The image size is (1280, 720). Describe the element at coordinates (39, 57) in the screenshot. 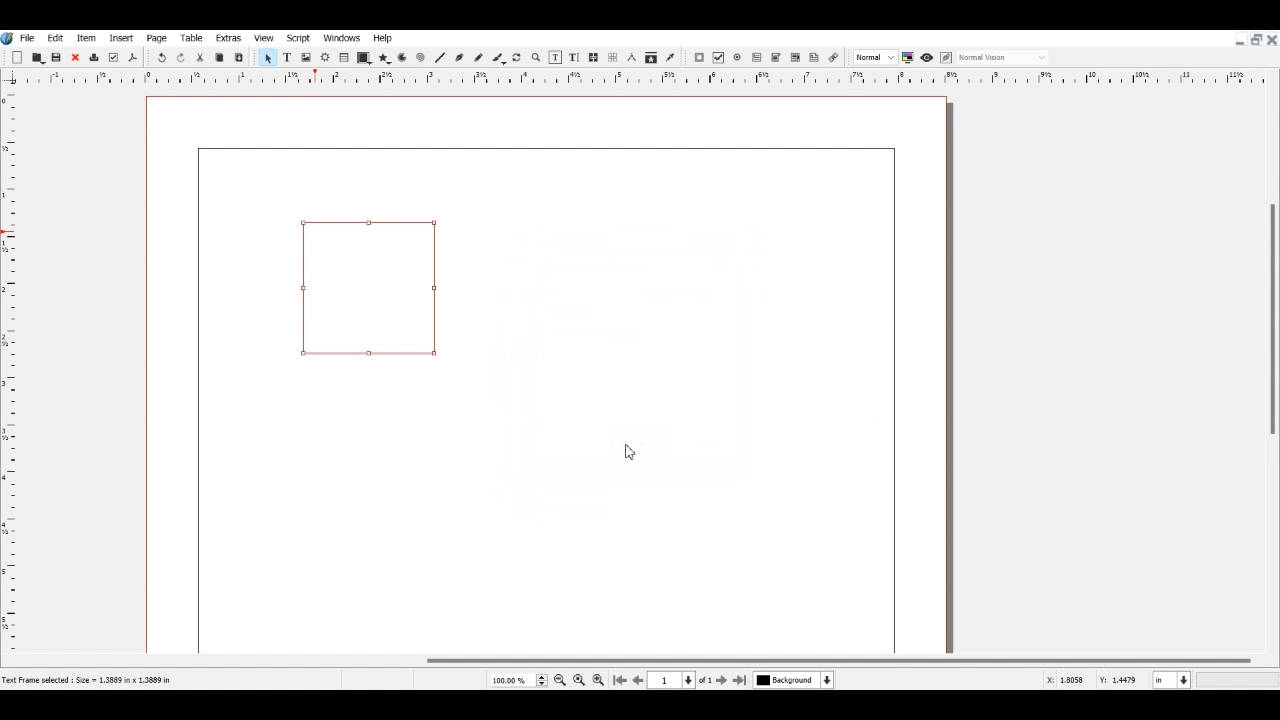

I see `Open` at that location.